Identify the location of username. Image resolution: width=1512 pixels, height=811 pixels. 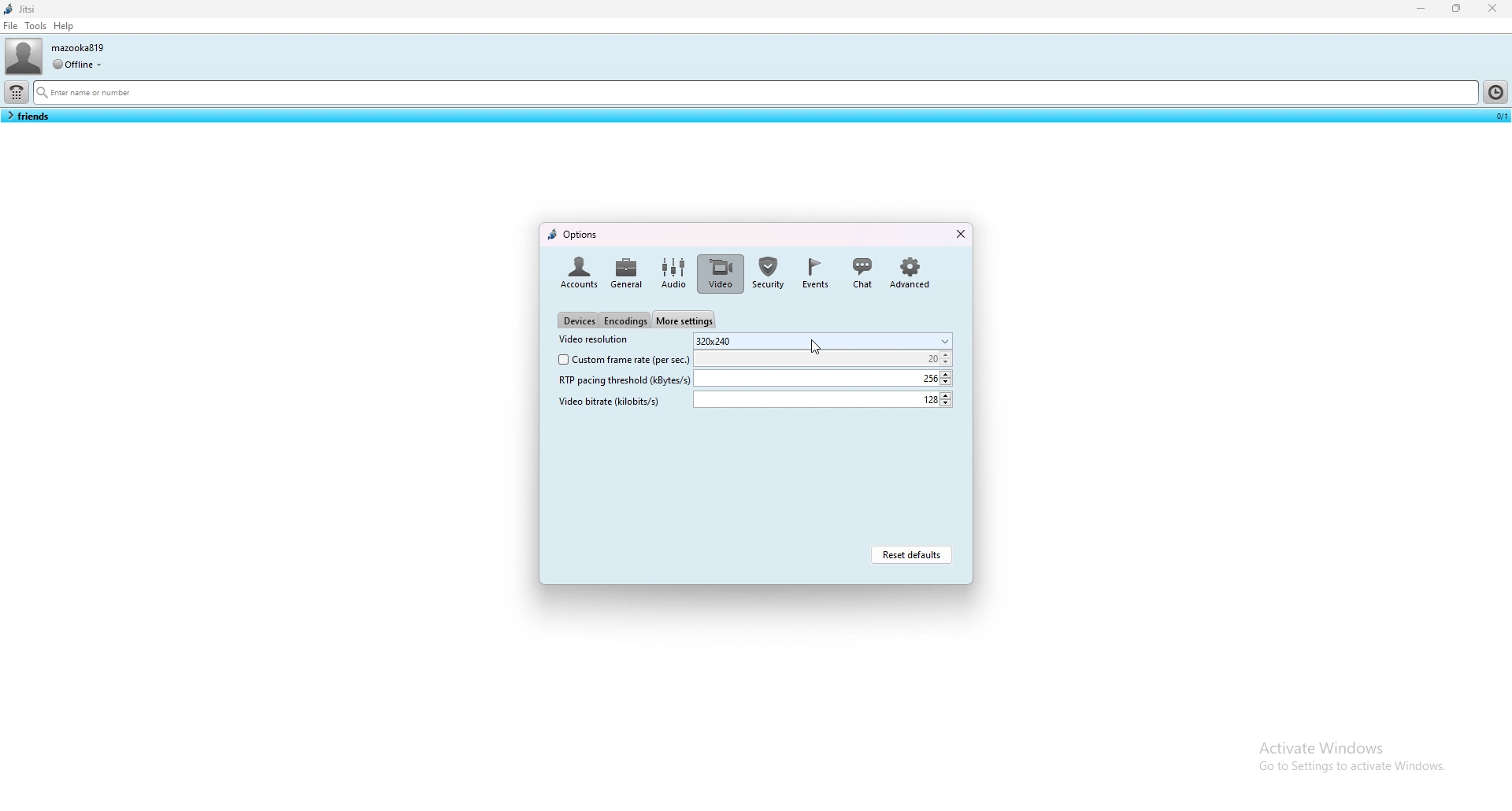
(80, 47).